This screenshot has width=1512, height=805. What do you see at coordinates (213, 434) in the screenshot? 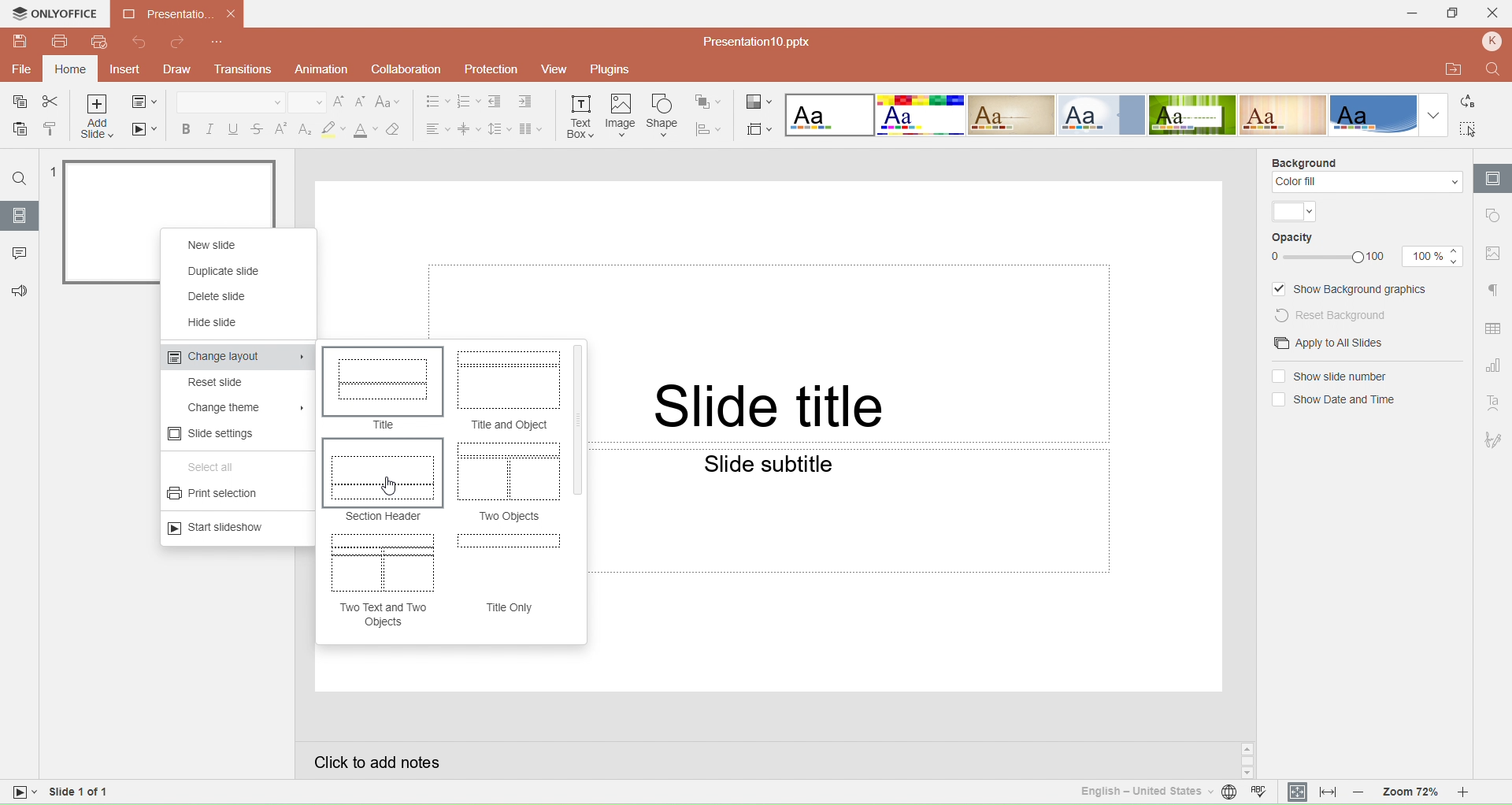
I see `Slide settings` at bounding box center [213, 434].